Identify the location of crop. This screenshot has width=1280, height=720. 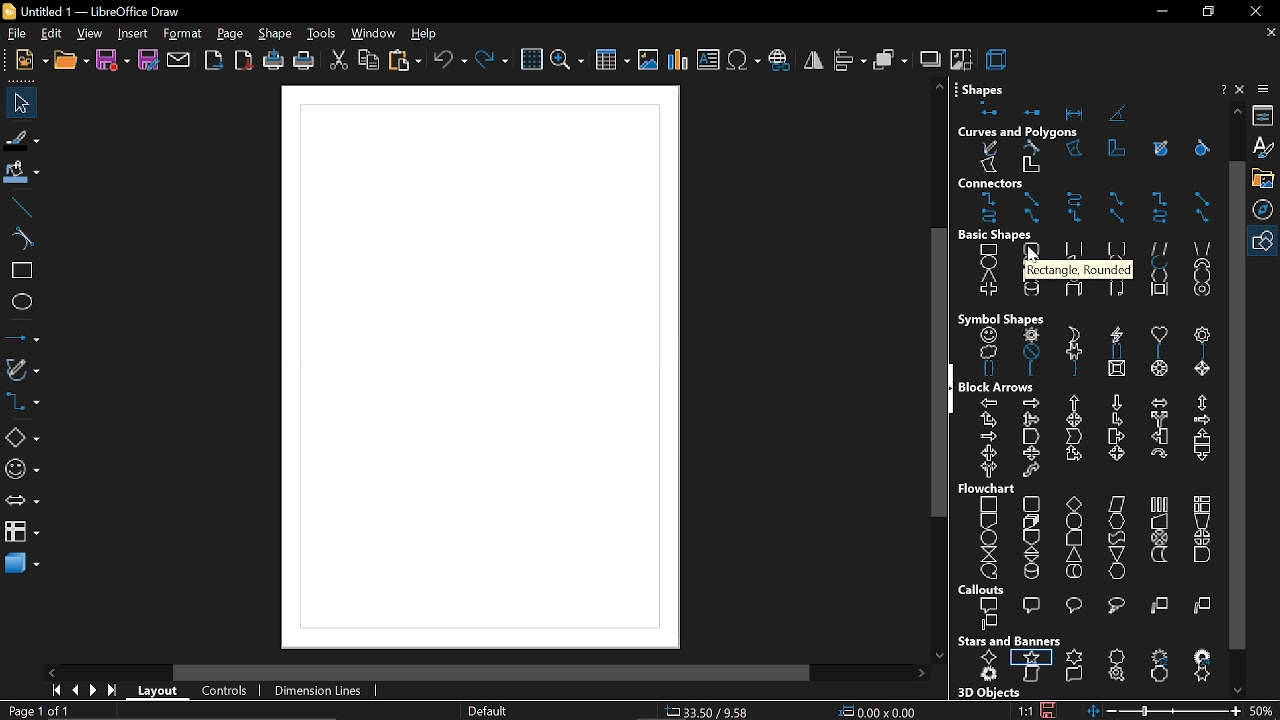
(961, 58).